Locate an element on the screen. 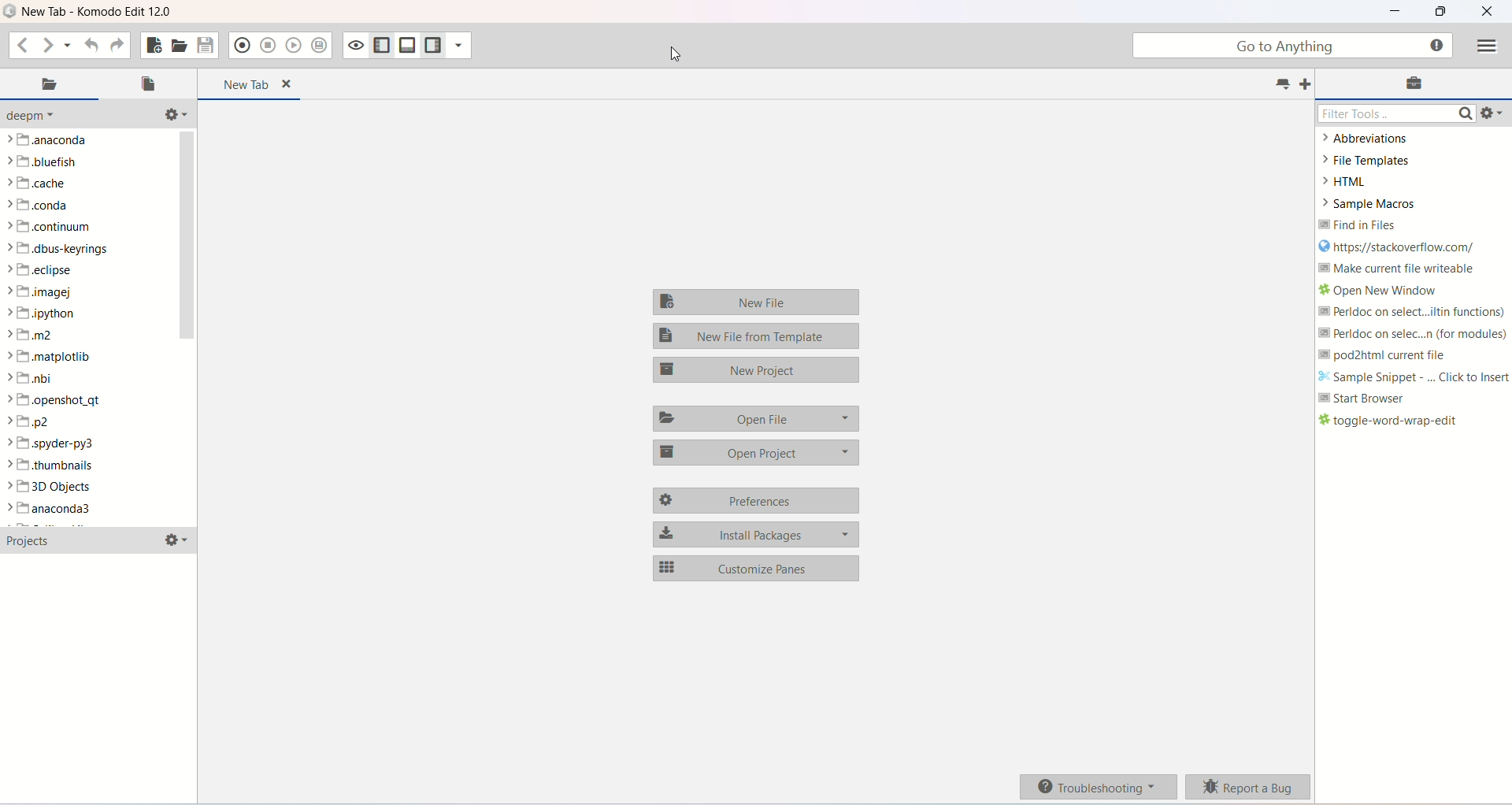  toggle focus mode is located at coordinates (353, 45).